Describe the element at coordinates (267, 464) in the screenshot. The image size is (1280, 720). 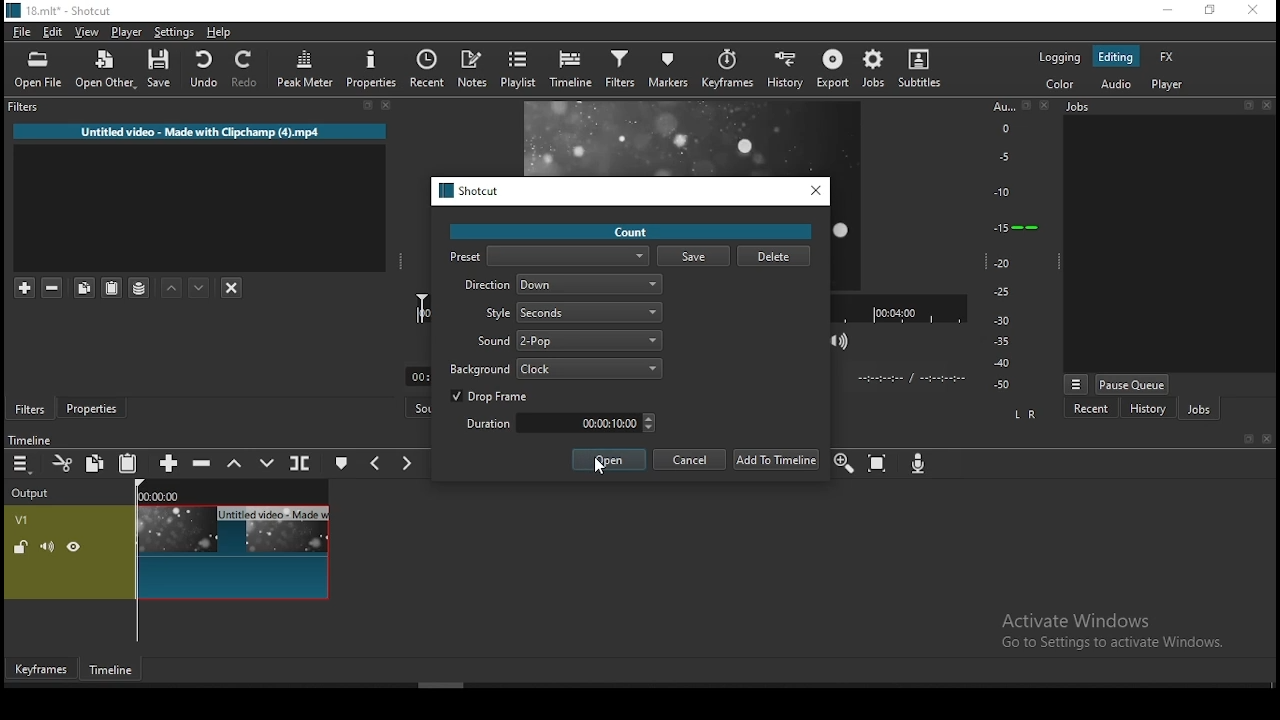
I see `overwrite` at that location.